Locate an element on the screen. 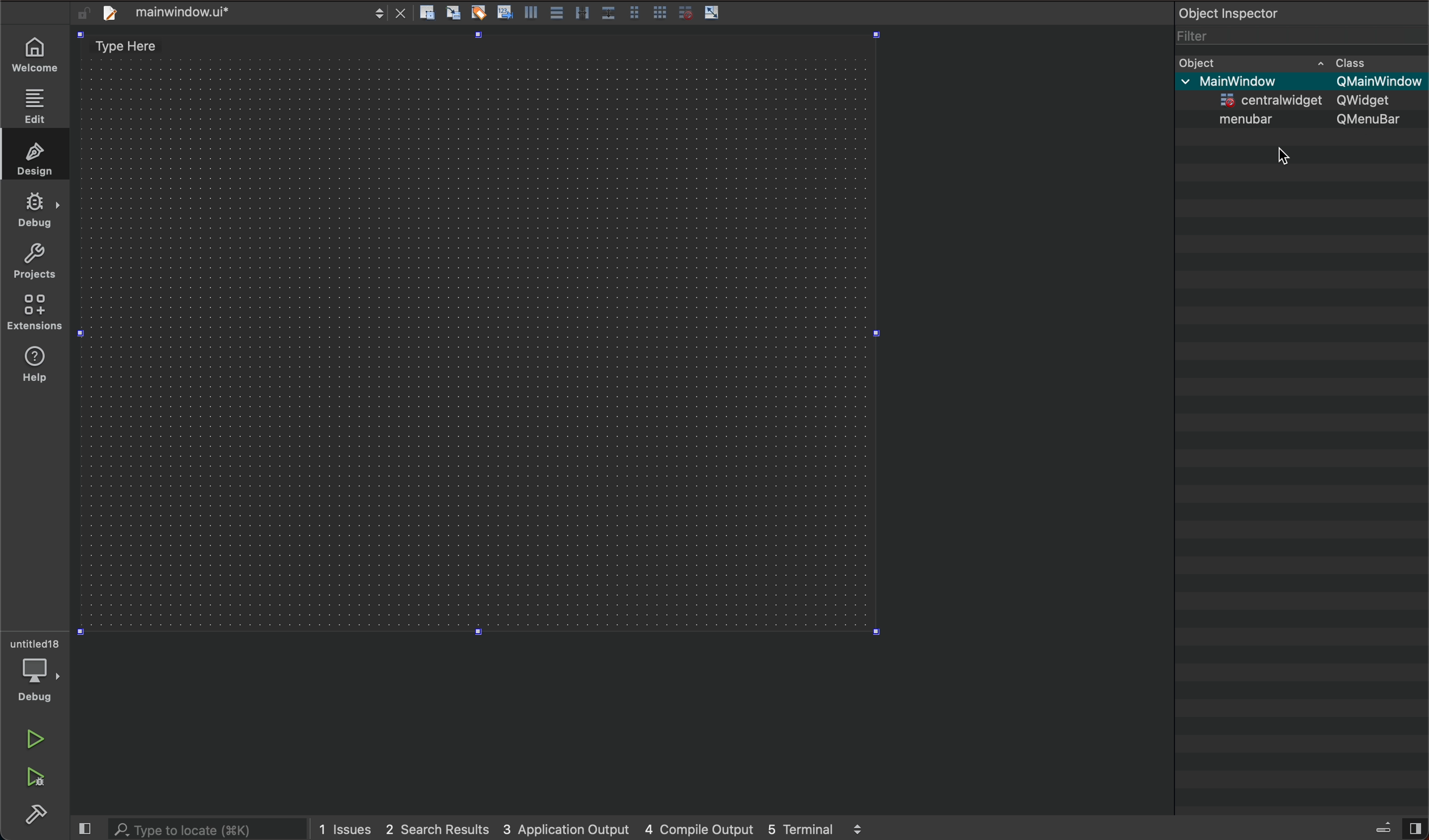  untitled is located at coordinates (34, 641).